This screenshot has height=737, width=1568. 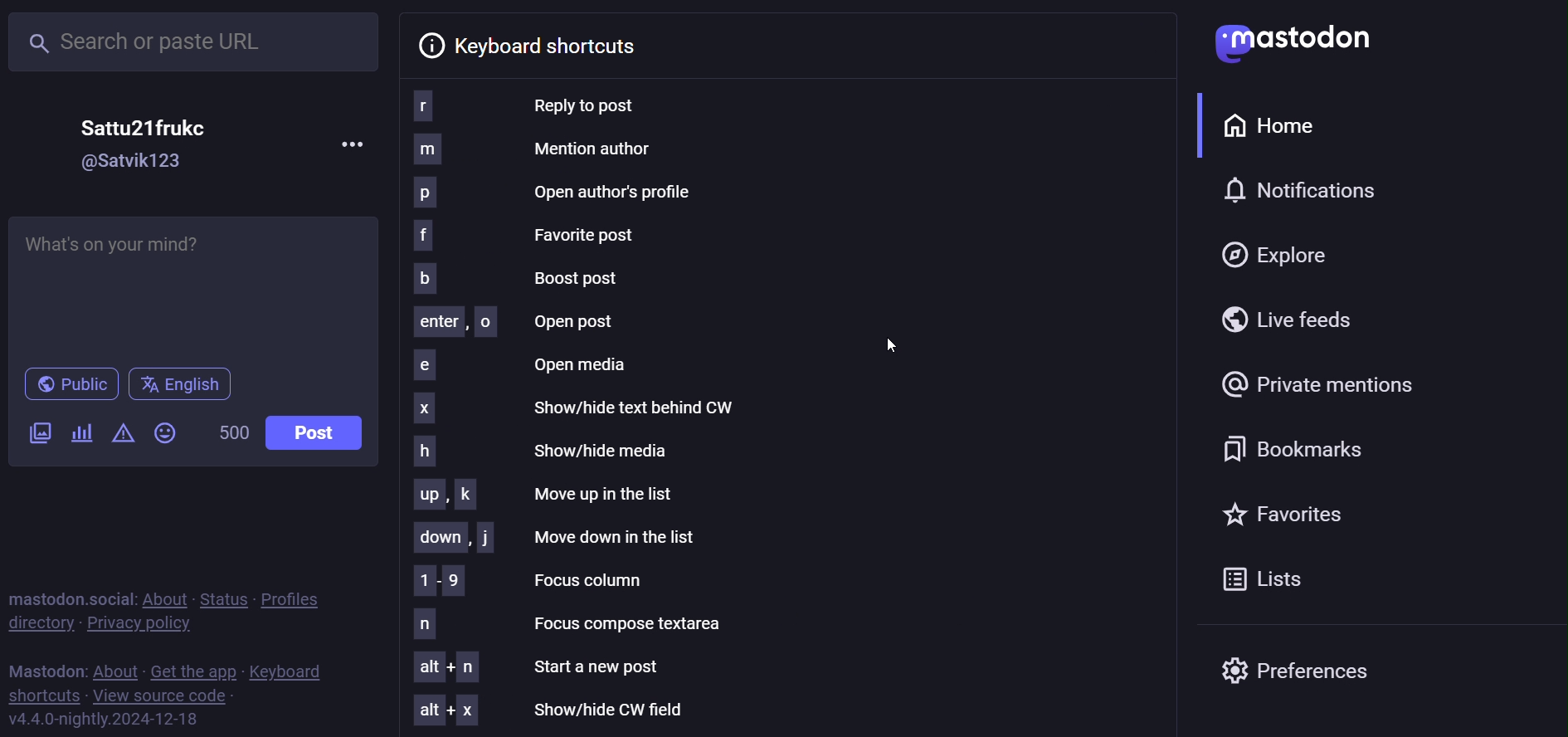 I want to click on about, so click(x=163, y=595).